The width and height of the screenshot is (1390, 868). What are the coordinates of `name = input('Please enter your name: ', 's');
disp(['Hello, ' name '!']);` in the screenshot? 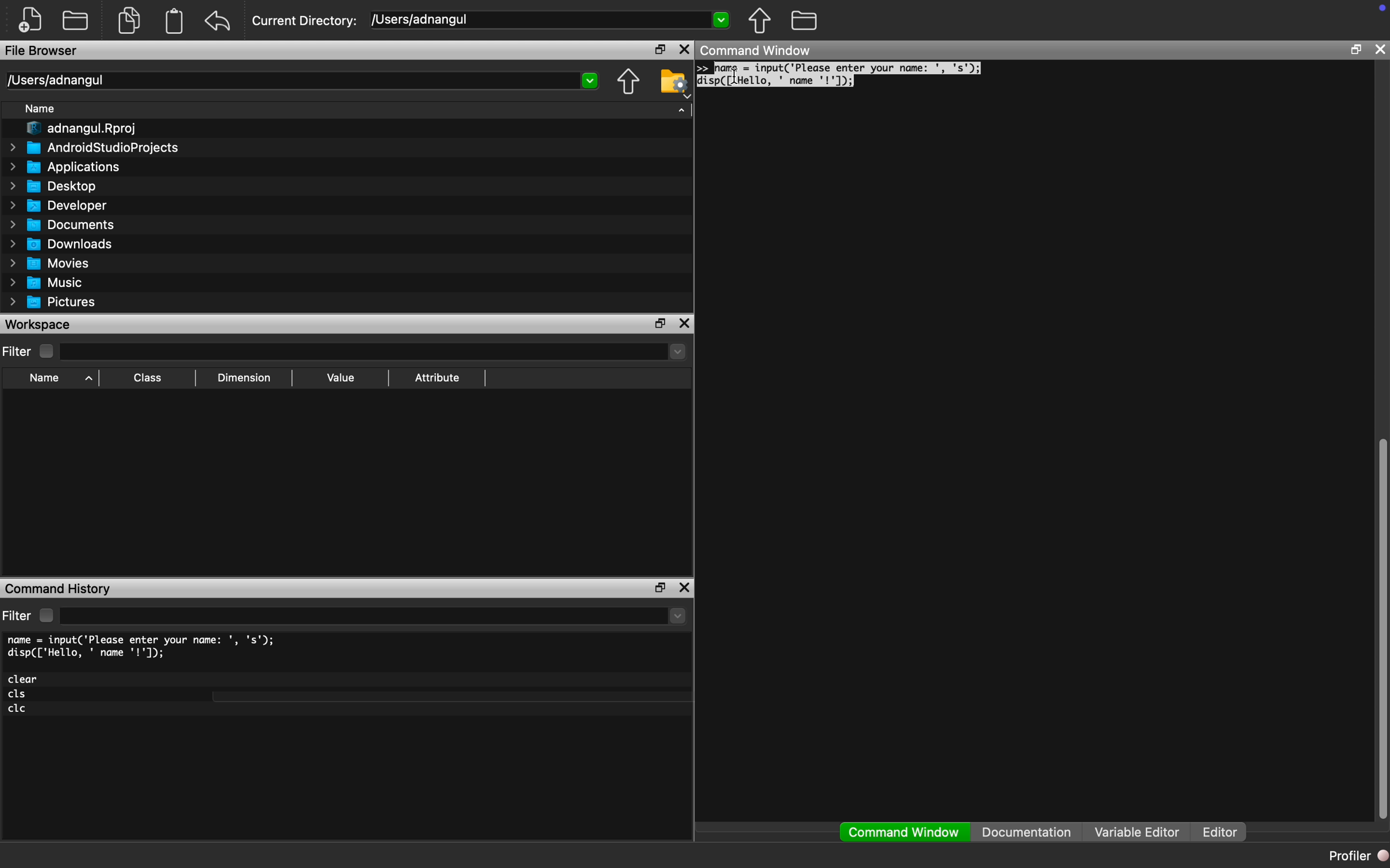 It's located at (144, 647).